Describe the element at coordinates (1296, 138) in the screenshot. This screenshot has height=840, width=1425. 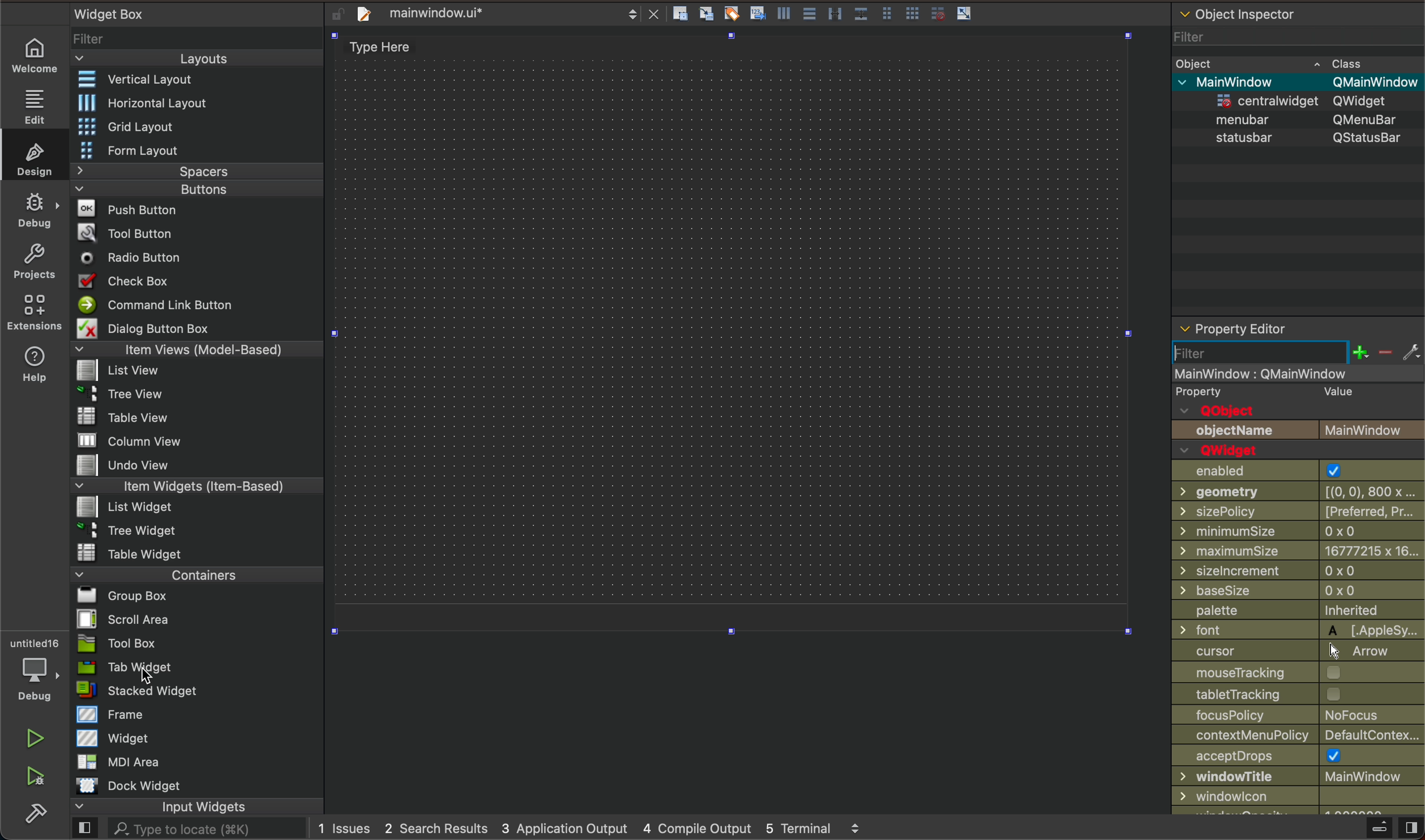
I see `statusbar QStatusBar` at that location.